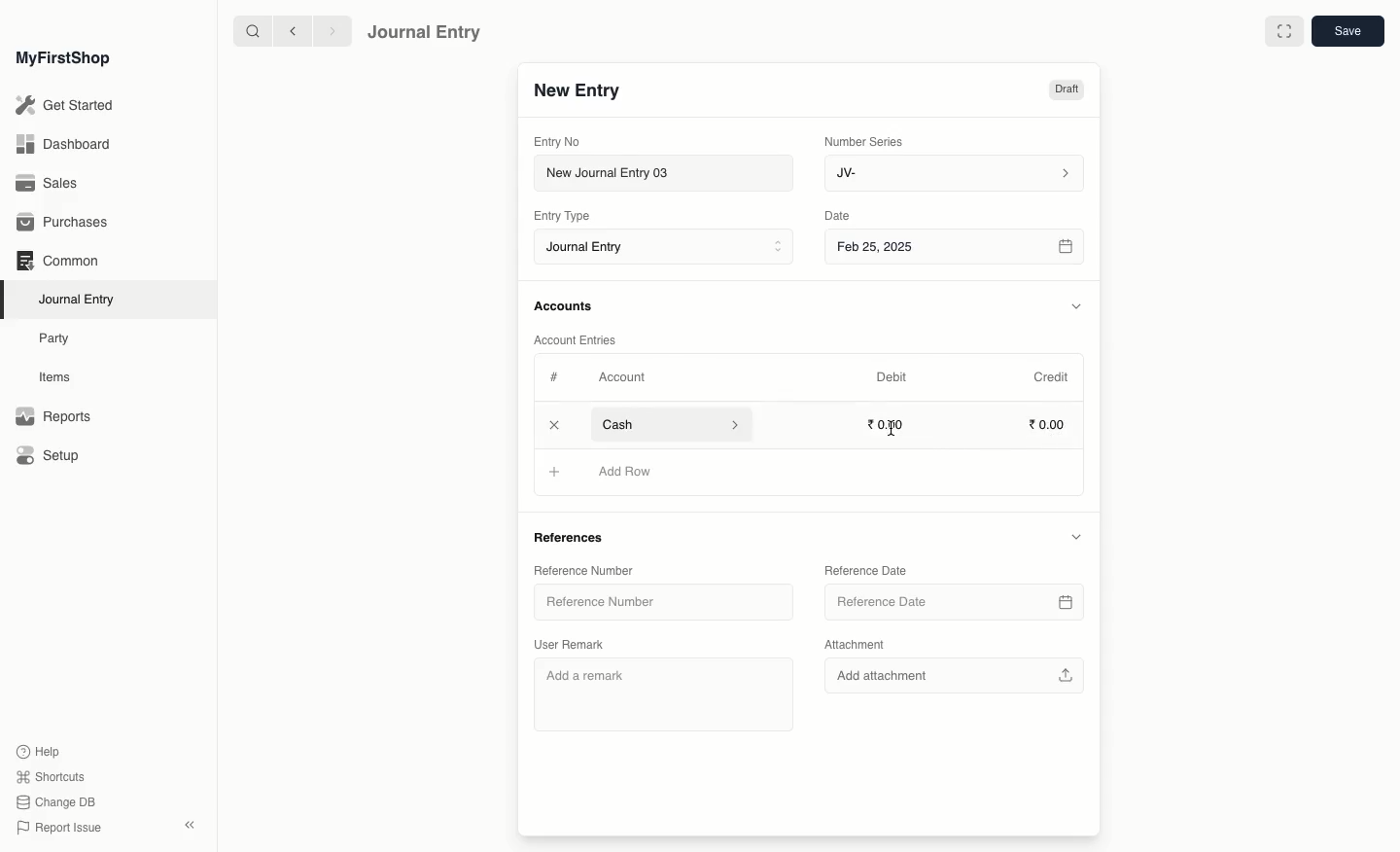  What do you see at coordinates (558, 378) in the screenshot?
I see `Hashtag` at bounding box center [558, 378].